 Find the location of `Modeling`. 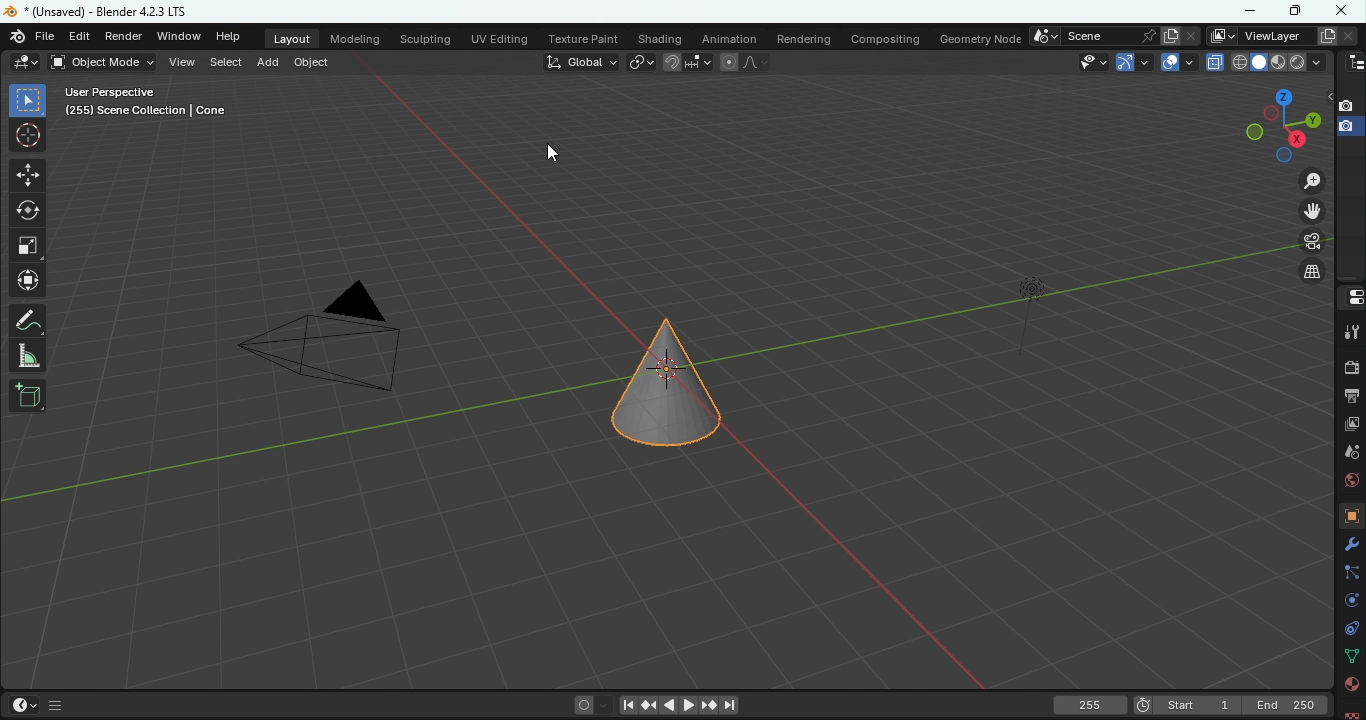

Modeling is located at coordinates (354, 37).